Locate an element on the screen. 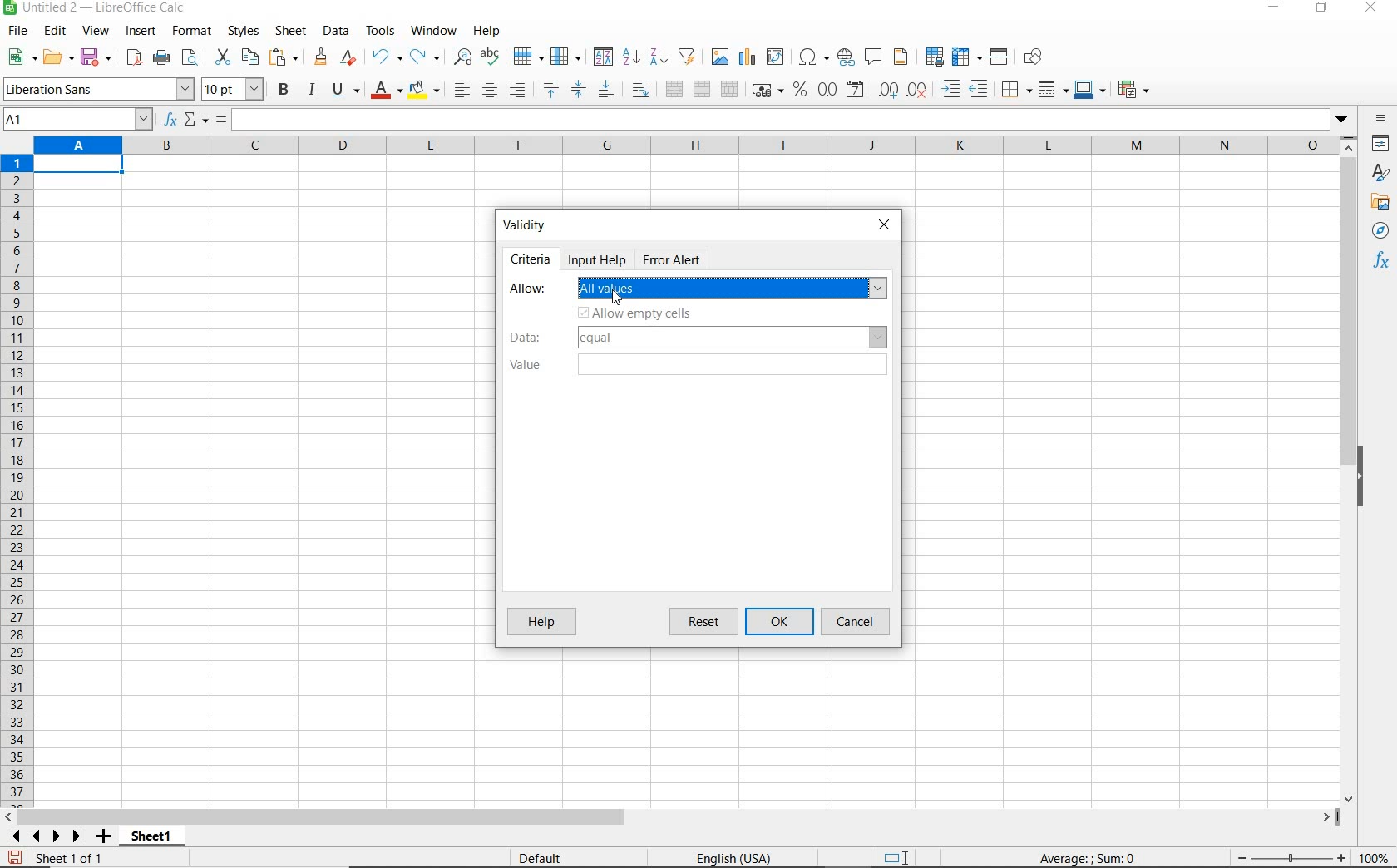 Image resolution: width=1397 pixels, height=868 pixels. format as percent is located at coordinates (800, 90).